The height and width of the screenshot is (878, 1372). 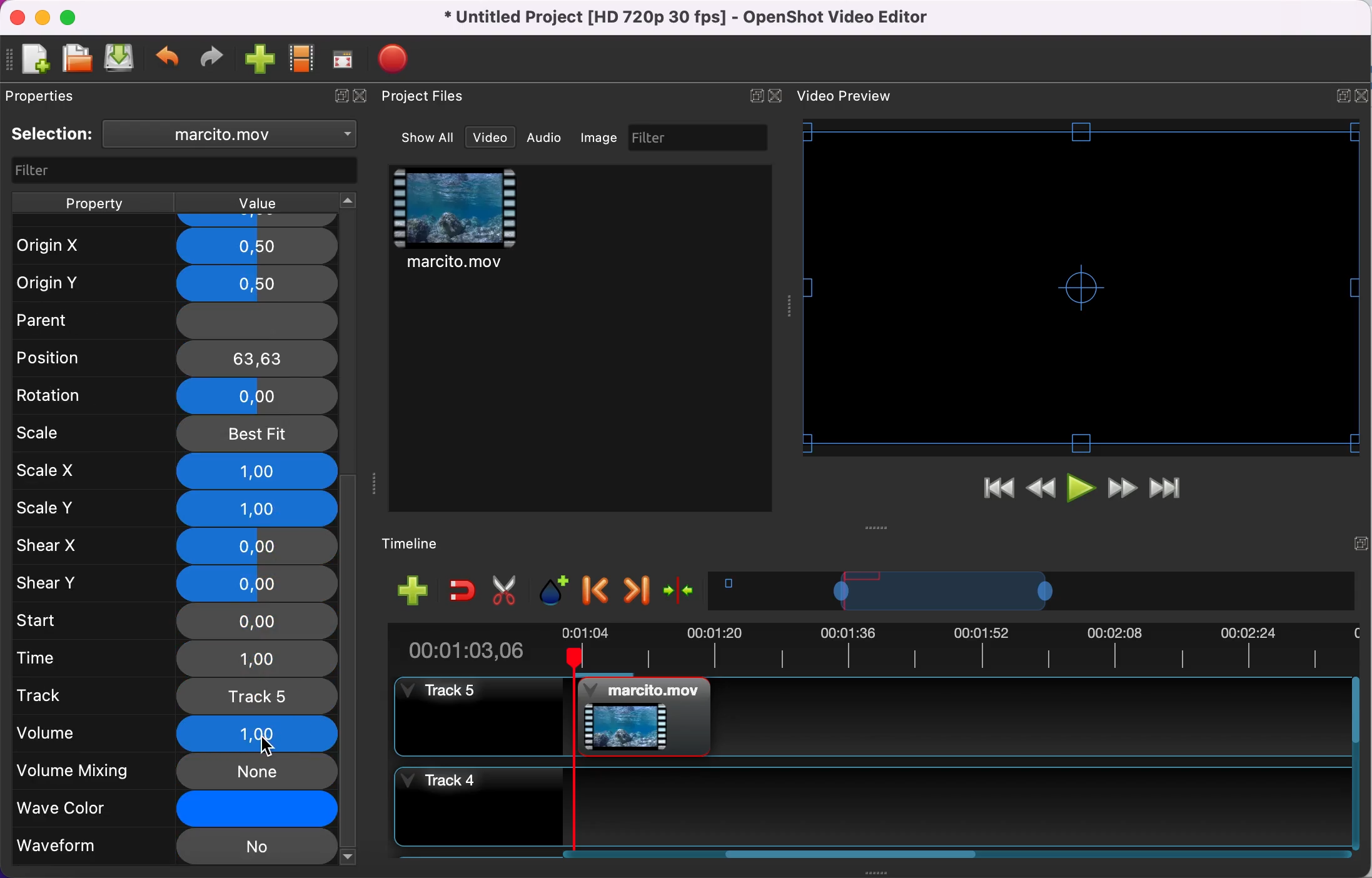 What do you see at coordinates (42, 17) in the screenshot?
I see `minimize` at bounding box center [42, 17].